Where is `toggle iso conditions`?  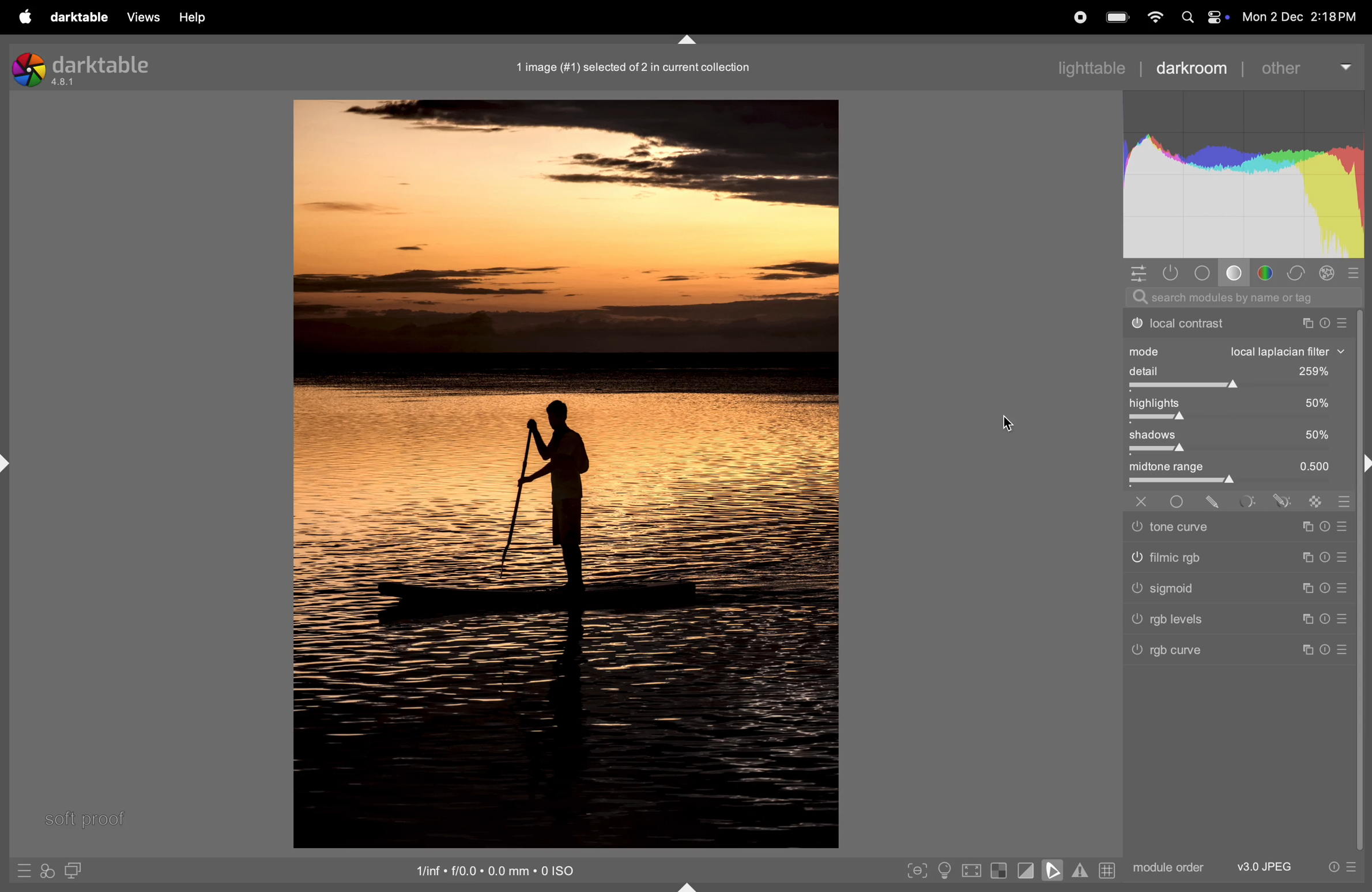 toggle iso conditions is located at coordinates (944, 870).